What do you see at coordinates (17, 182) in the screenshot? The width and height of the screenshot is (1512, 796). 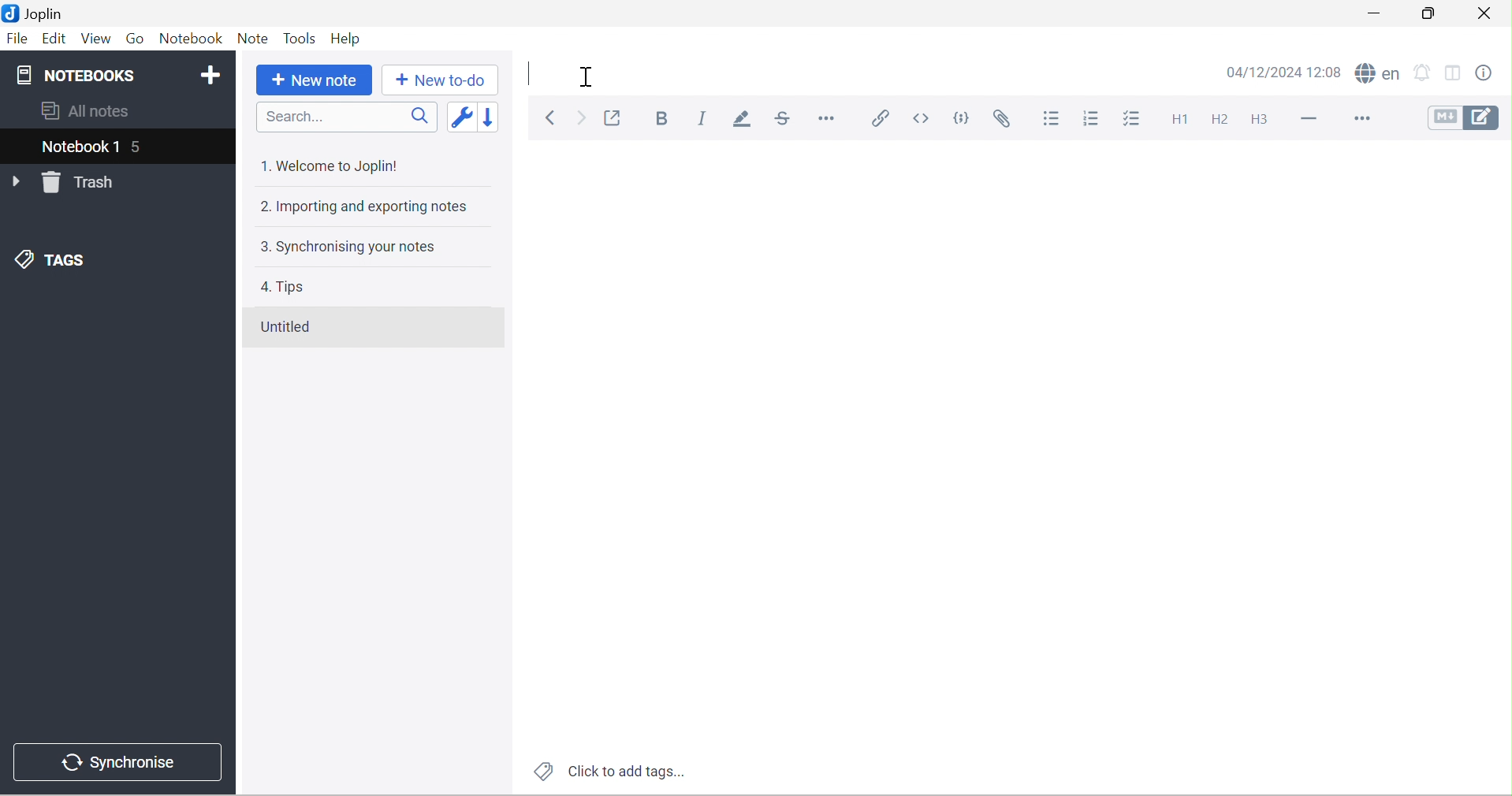 I see `Drop Down` at bounding box center [17, 182].